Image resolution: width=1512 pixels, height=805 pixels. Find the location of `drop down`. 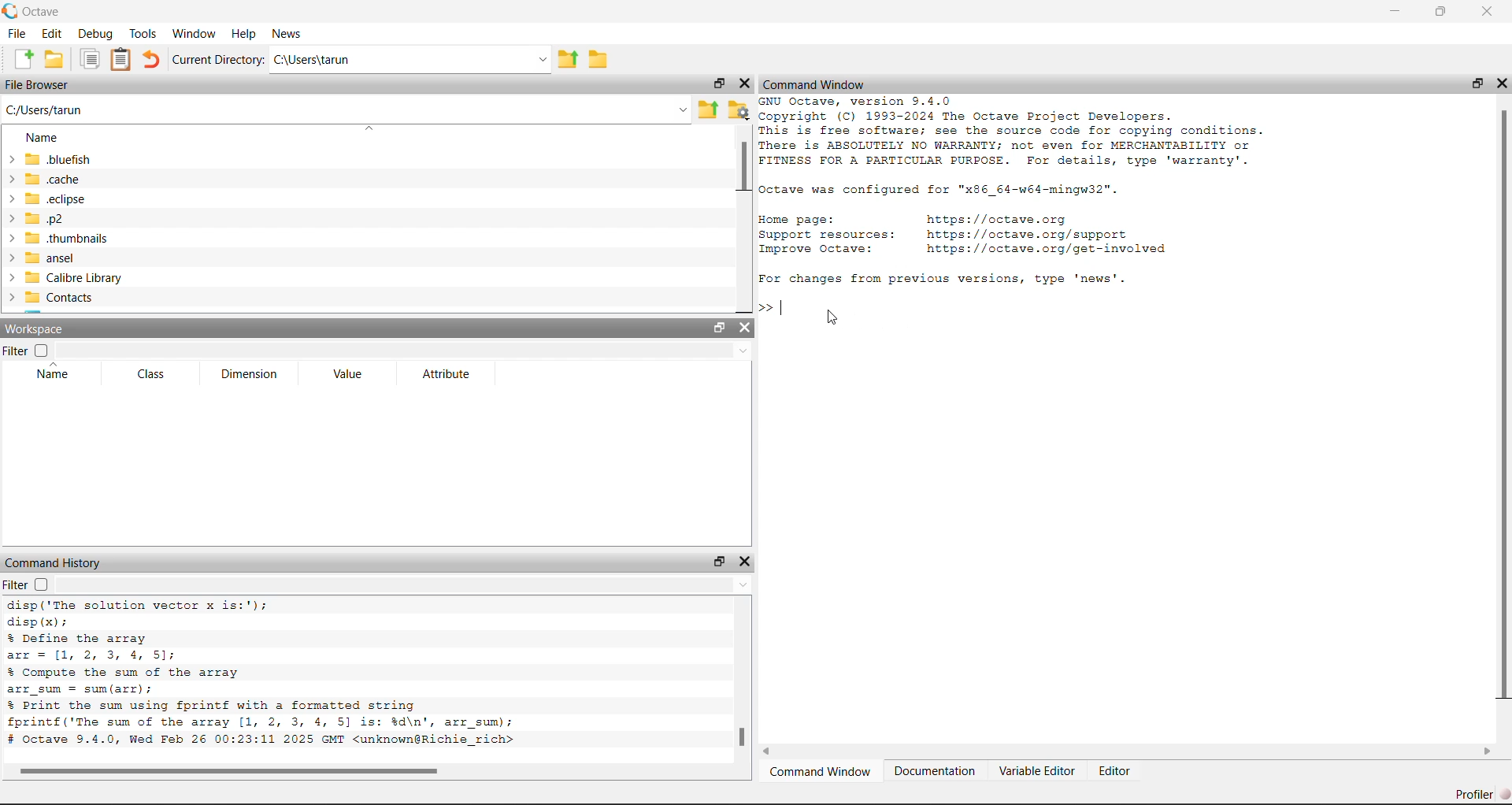

drop down is located at coordinates (404, 584).